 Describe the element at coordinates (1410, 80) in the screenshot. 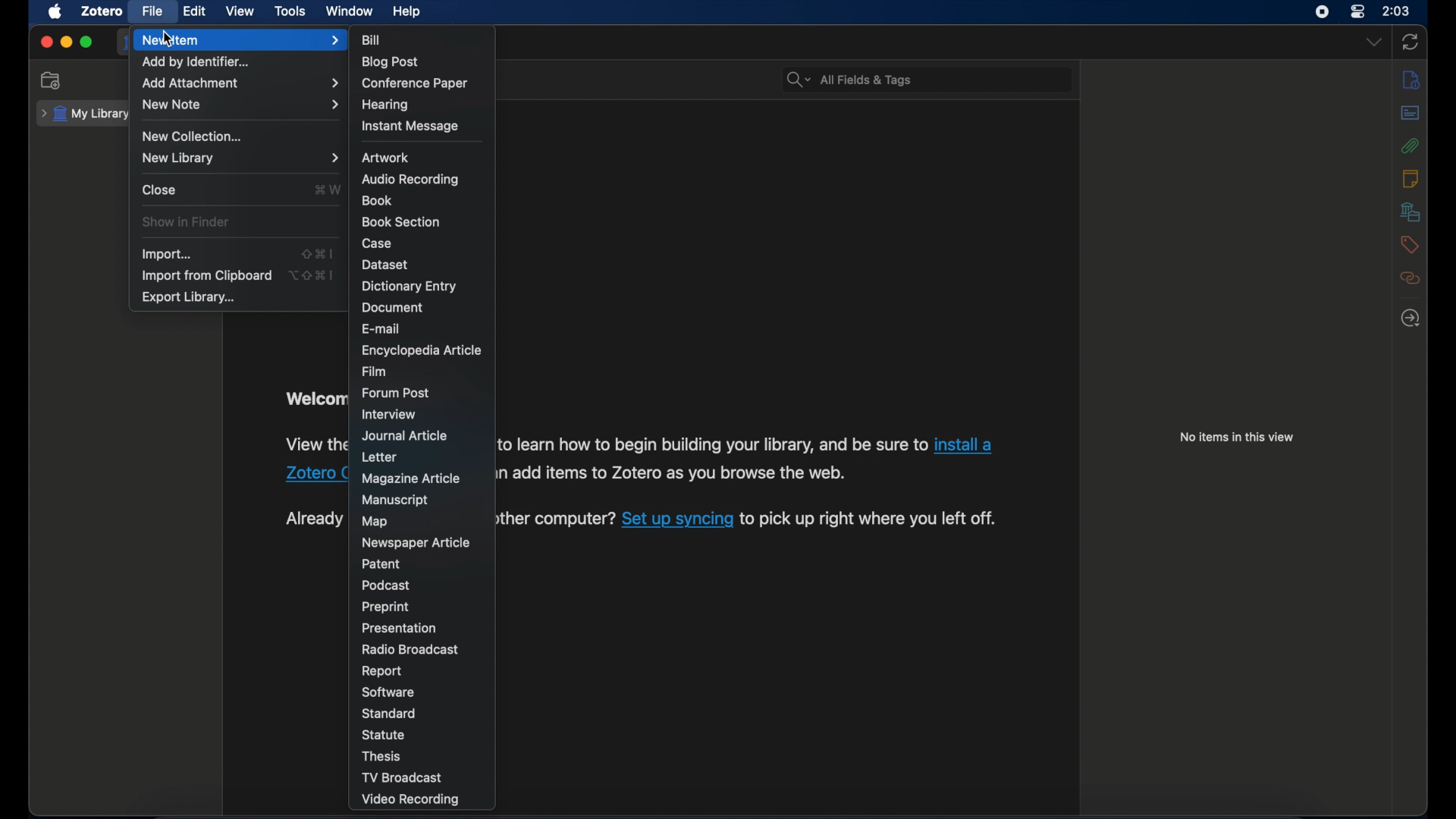

I see `info` at that location.